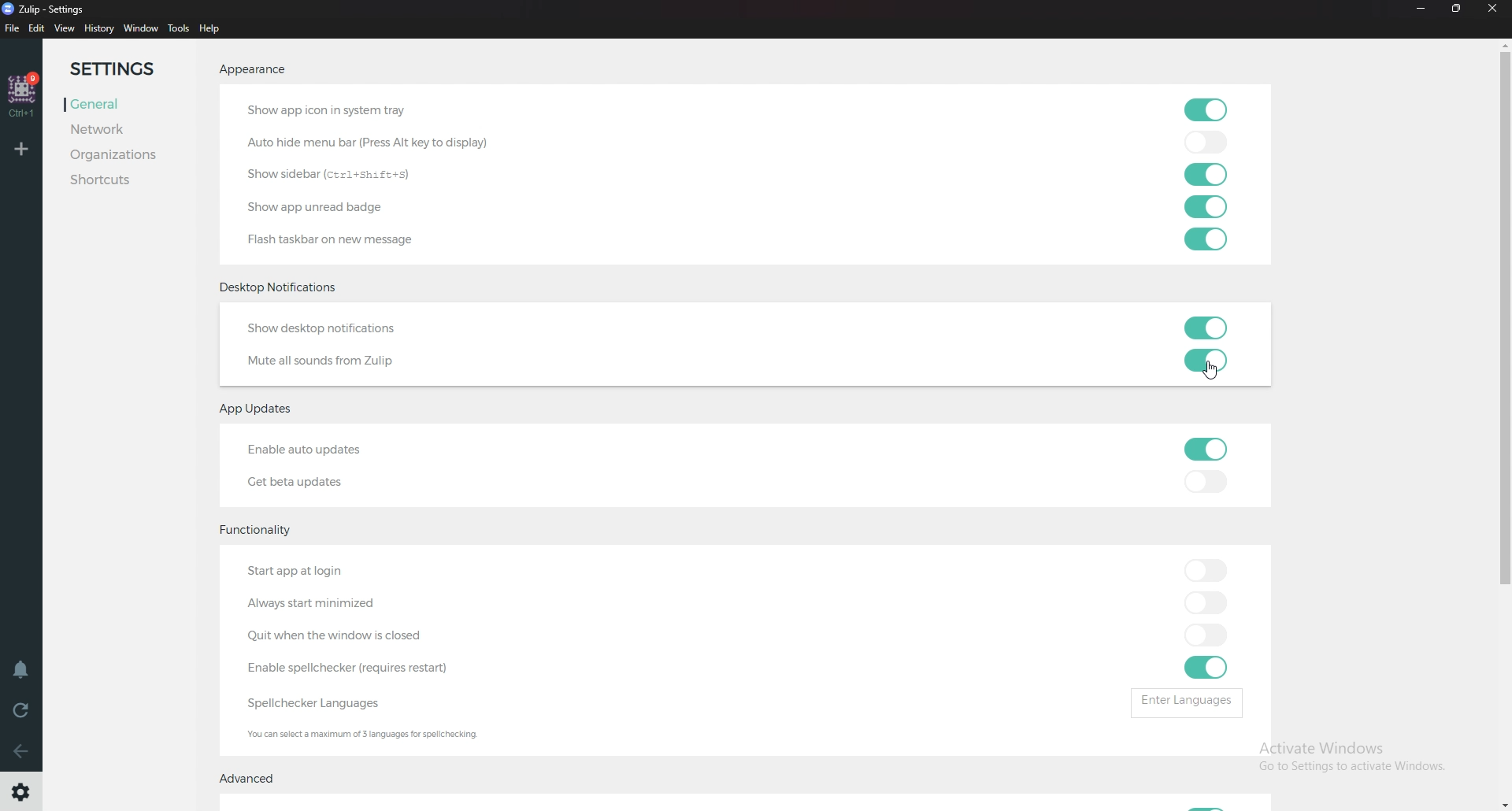  I want to click on Tools, so click(179, 28).